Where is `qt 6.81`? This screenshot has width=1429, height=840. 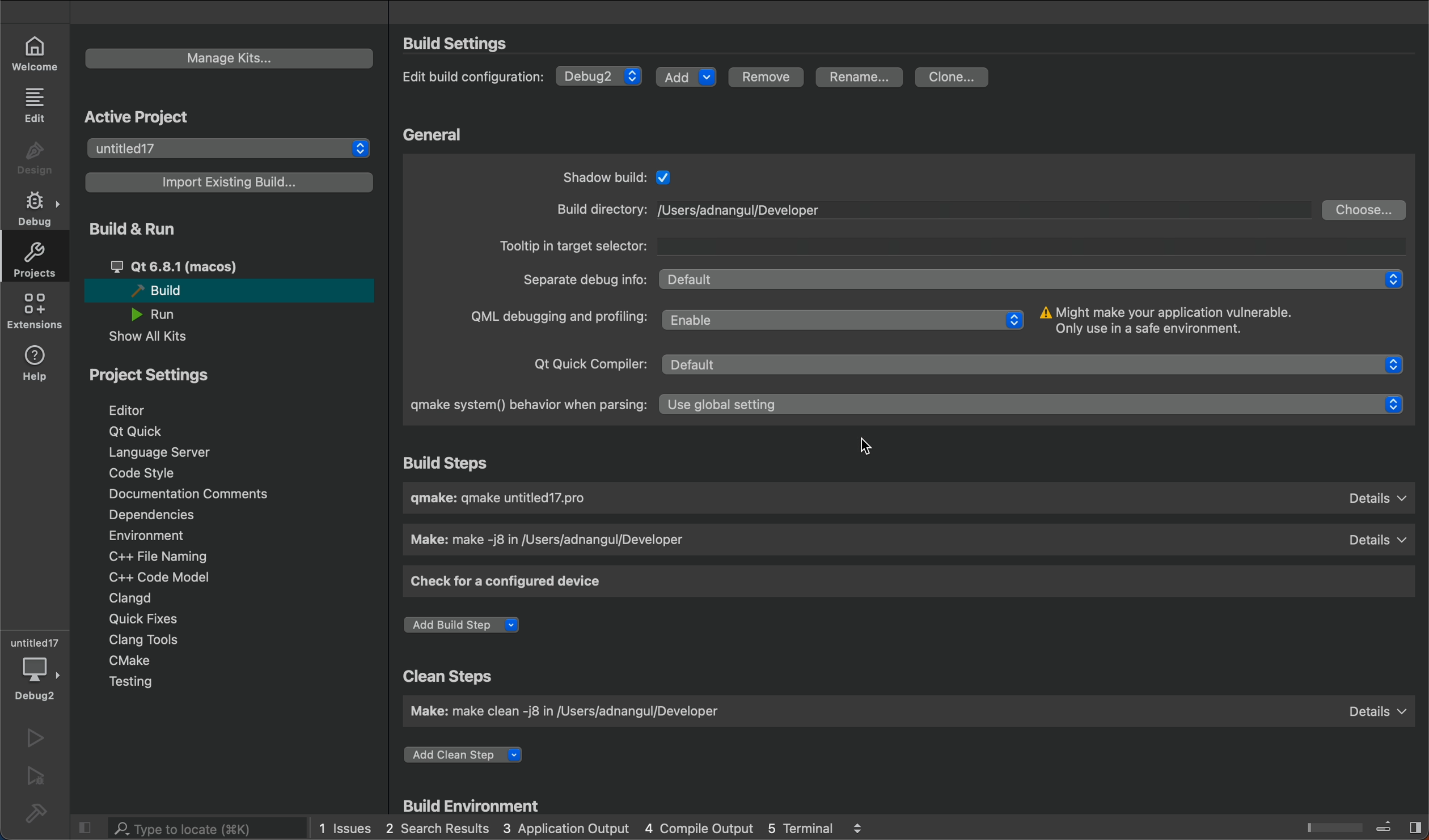 qt 6.81 is located at coordinates (203, 266).